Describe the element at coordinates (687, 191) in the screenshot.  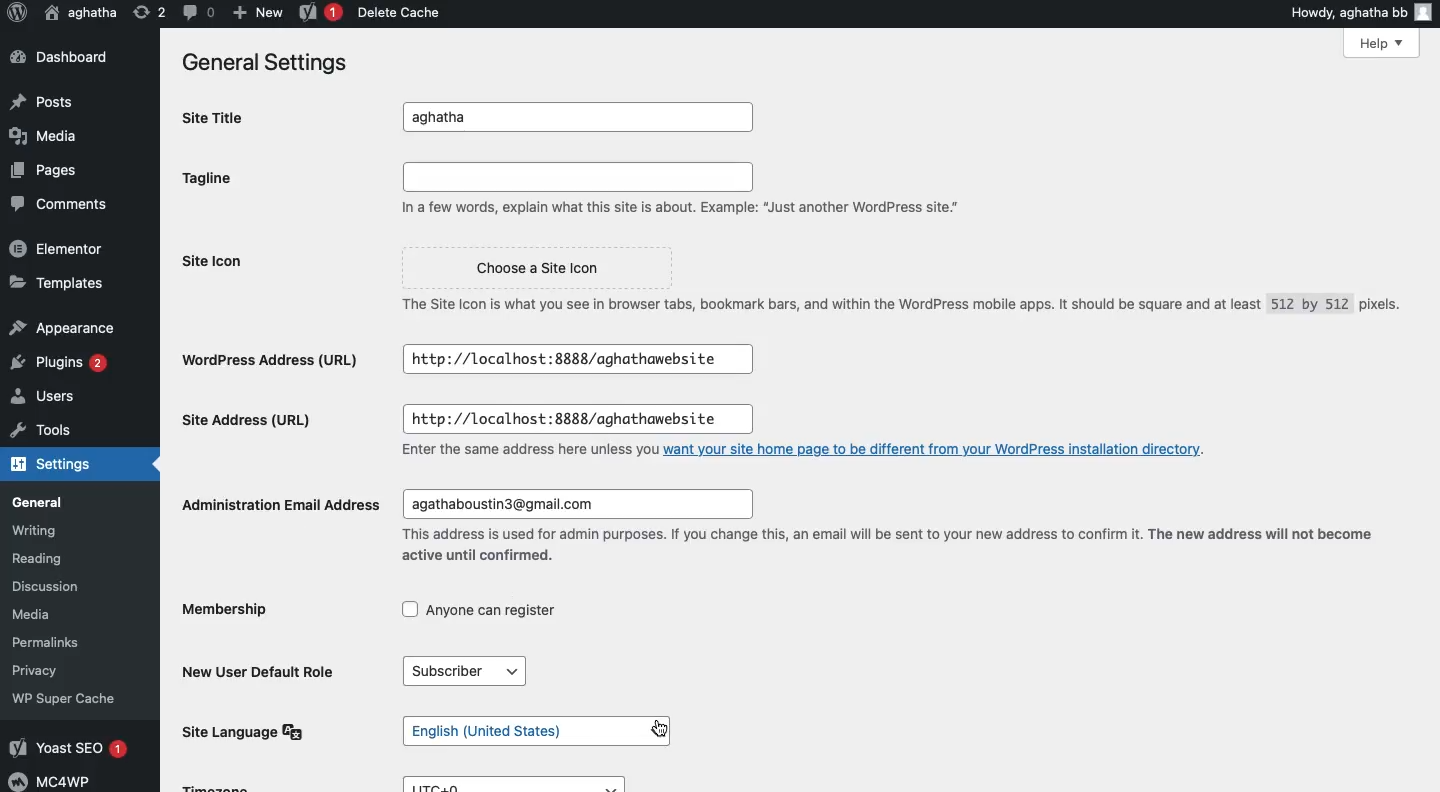
I see `In a few words, explain what this site is about. Example: “Just another WordPress site."` at that location.